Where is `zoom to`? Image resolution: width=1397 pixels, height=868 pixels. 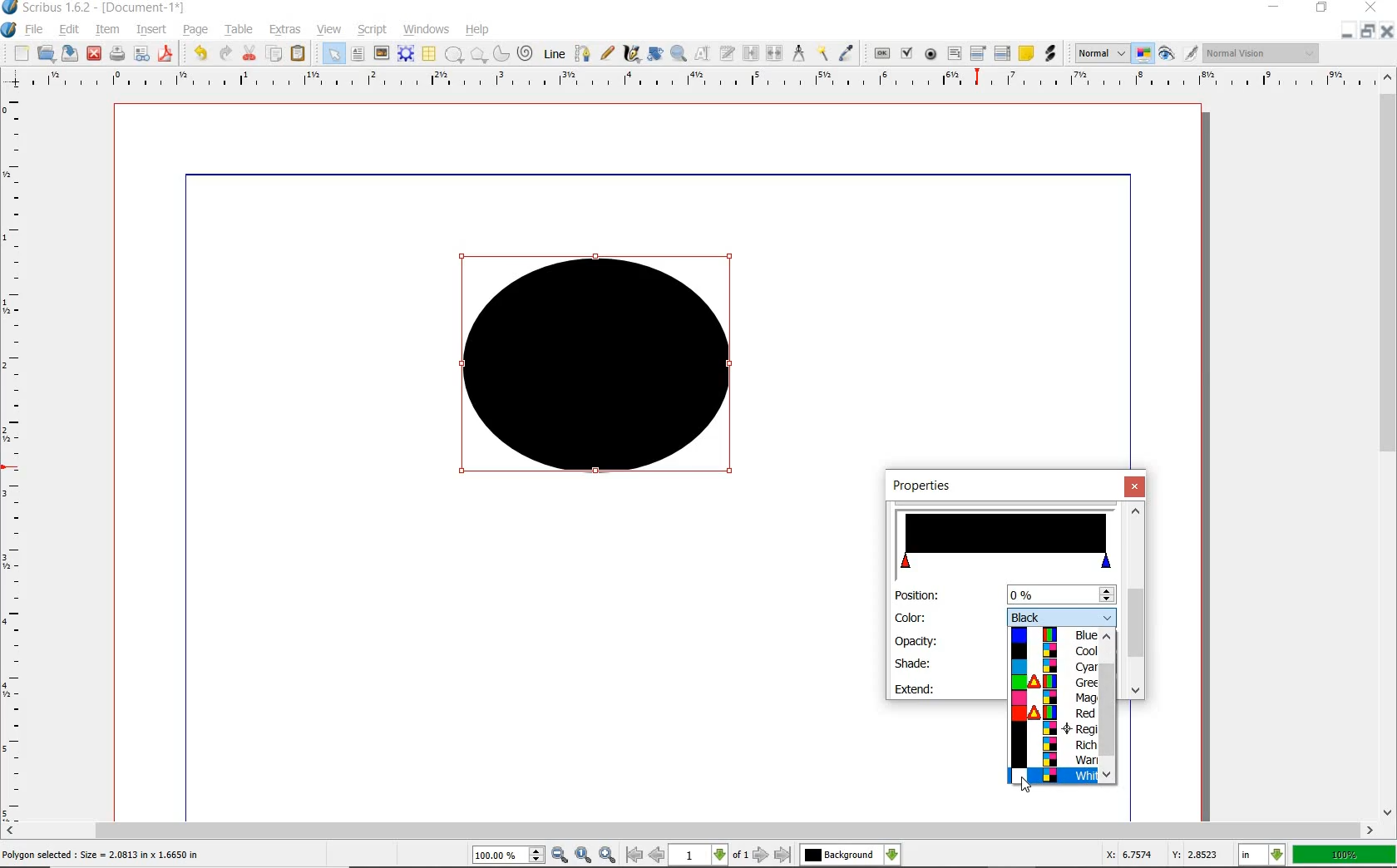 zoom to is located at coordinates (585, 855).